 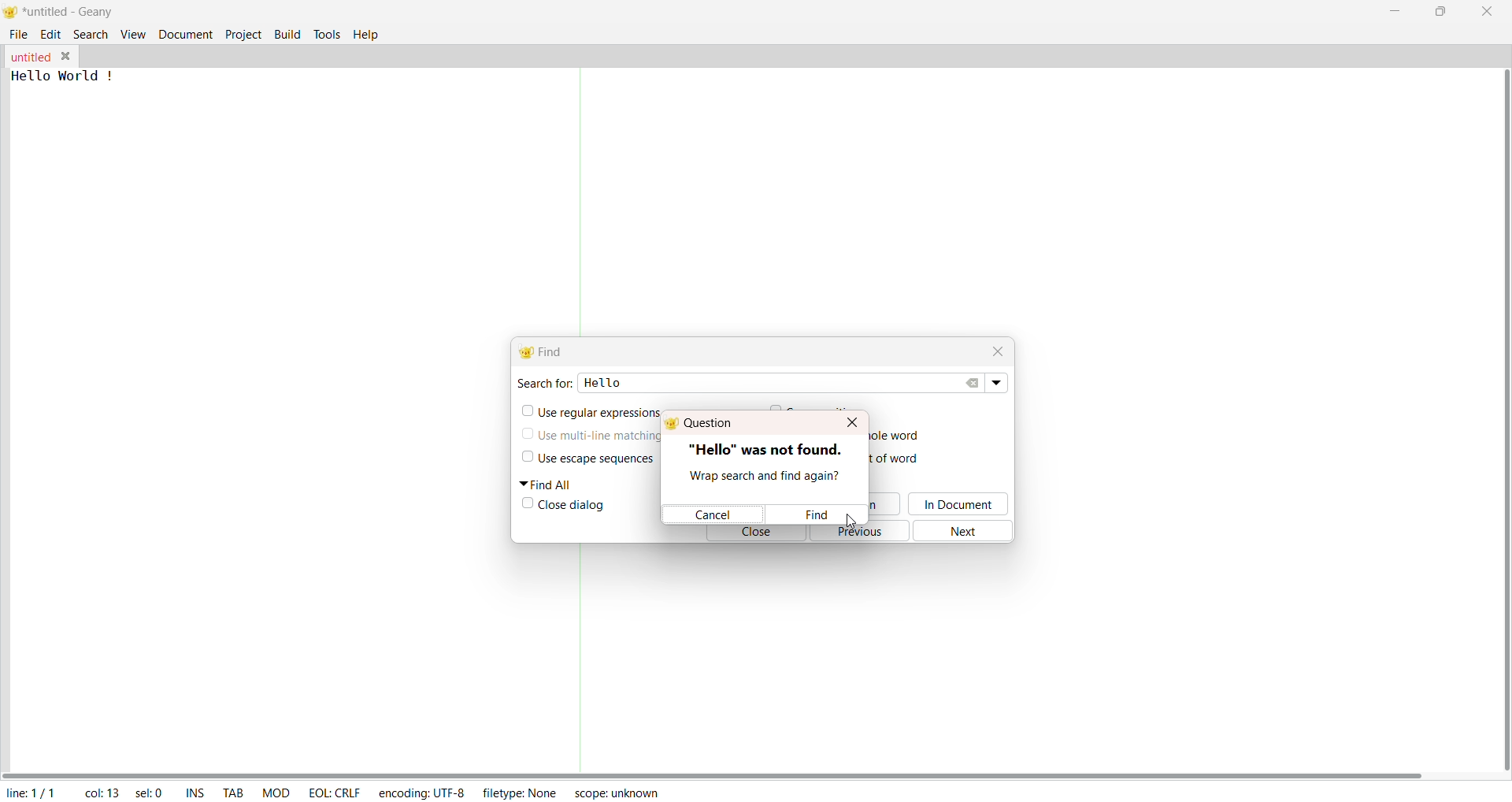 What do you see at coordinates (1484, 12) in the screenshot?
I see `Close` at bounding box center [1484, 12].